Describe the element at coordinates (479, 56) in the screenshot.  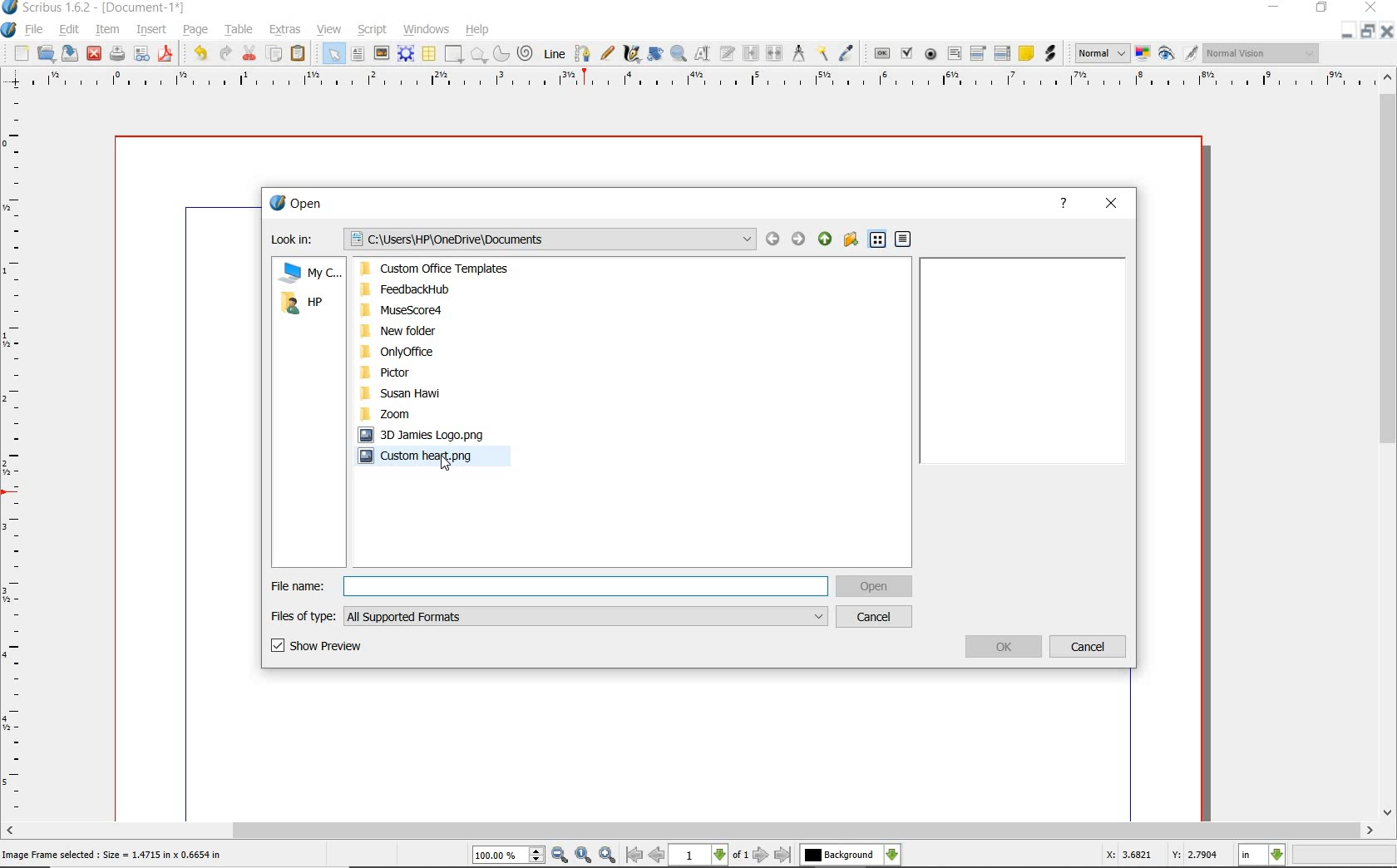
I see `shape` at that location.